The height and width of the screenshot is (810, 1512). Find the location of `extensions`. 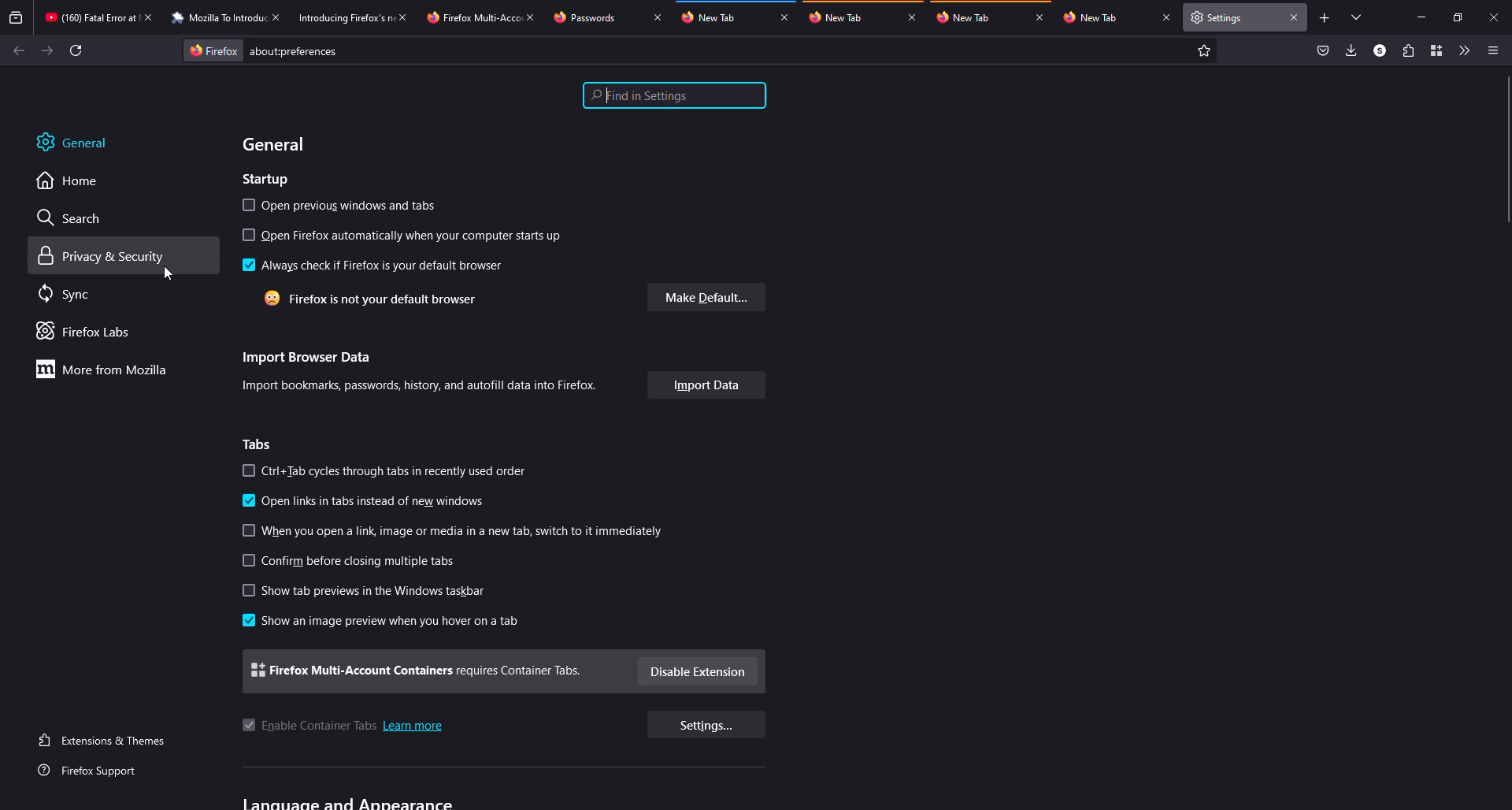

extensions is located at coordinates (1406, 50).